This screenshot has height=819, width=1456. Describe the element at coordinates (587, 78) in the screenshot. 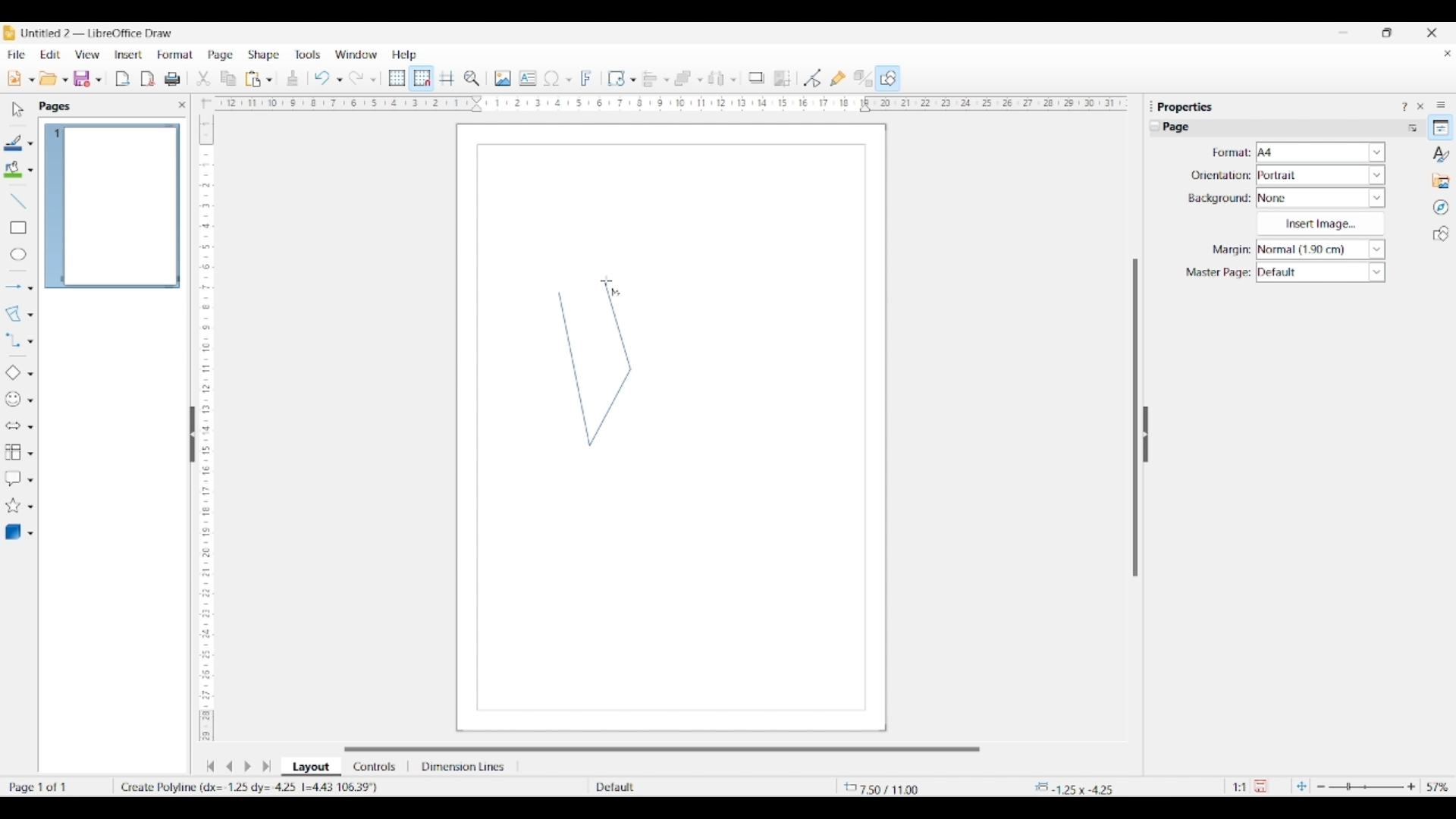

I see `Insert fontwork text` at that location.